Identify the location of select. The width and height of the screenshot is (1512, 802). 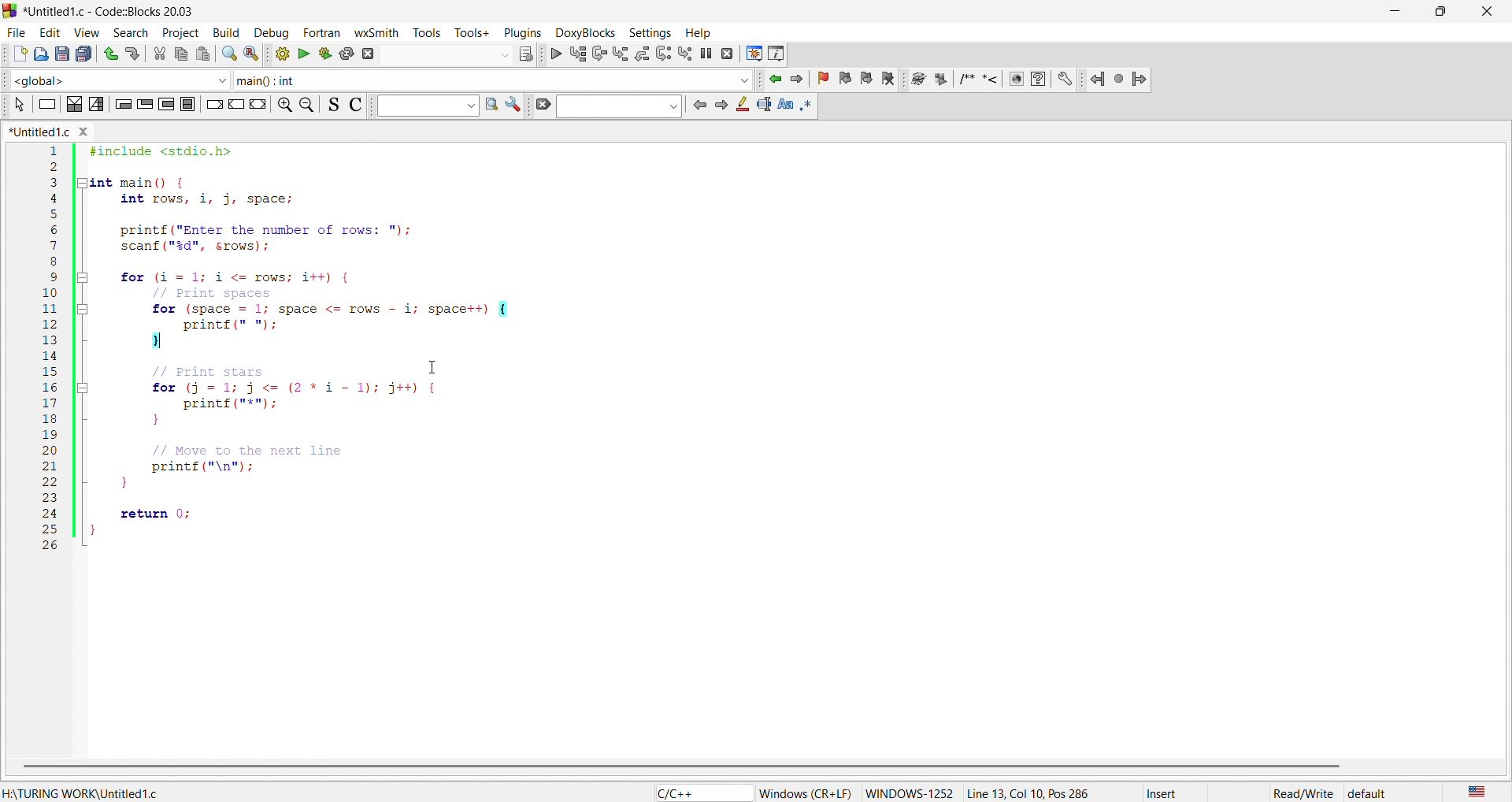
(18, 106).